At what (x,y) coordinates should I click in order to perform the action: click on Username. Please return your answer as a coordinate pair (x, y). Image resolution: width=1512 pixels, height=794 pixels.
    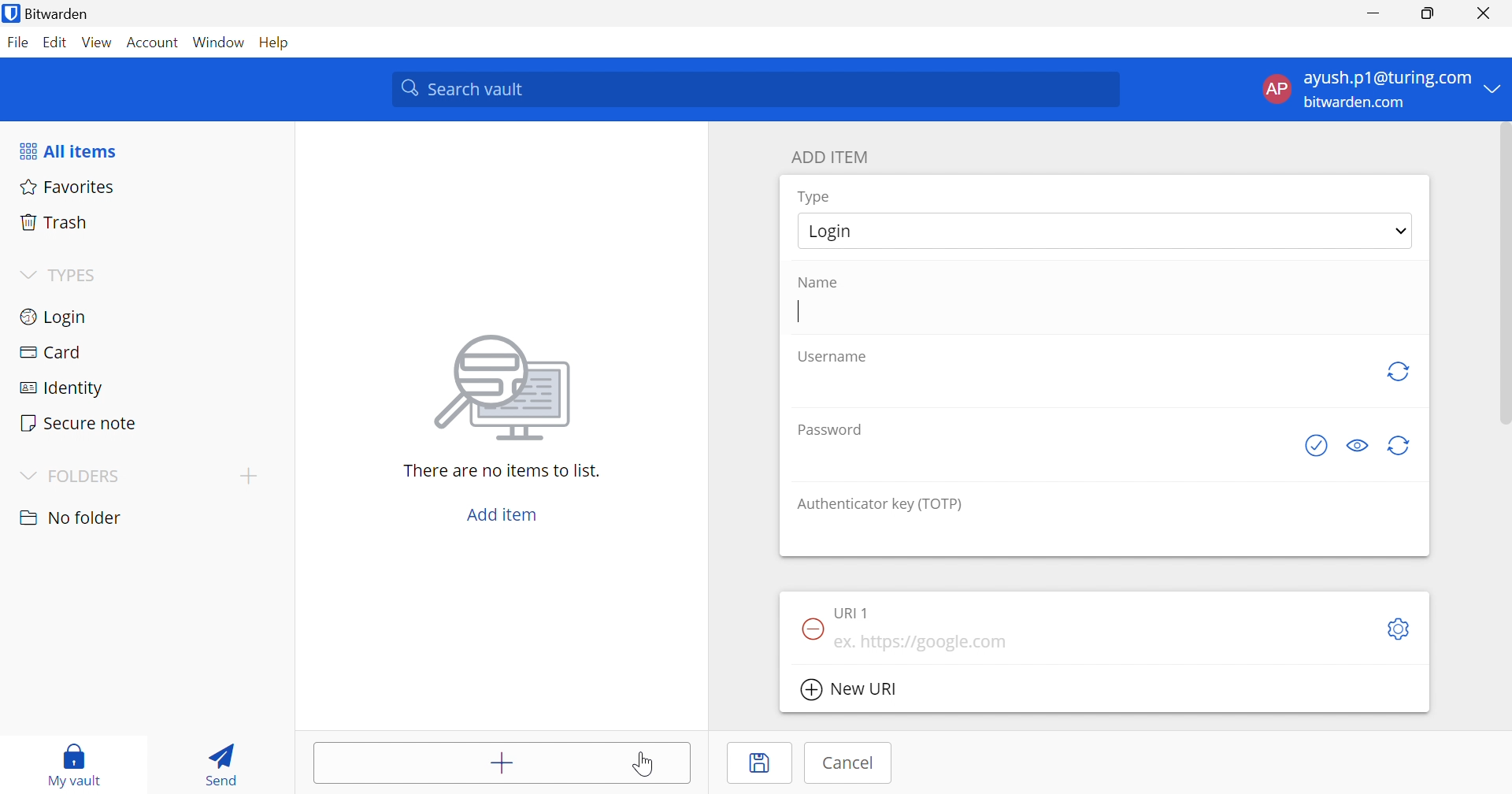
    Looking at the image, I should click on (834, 355).